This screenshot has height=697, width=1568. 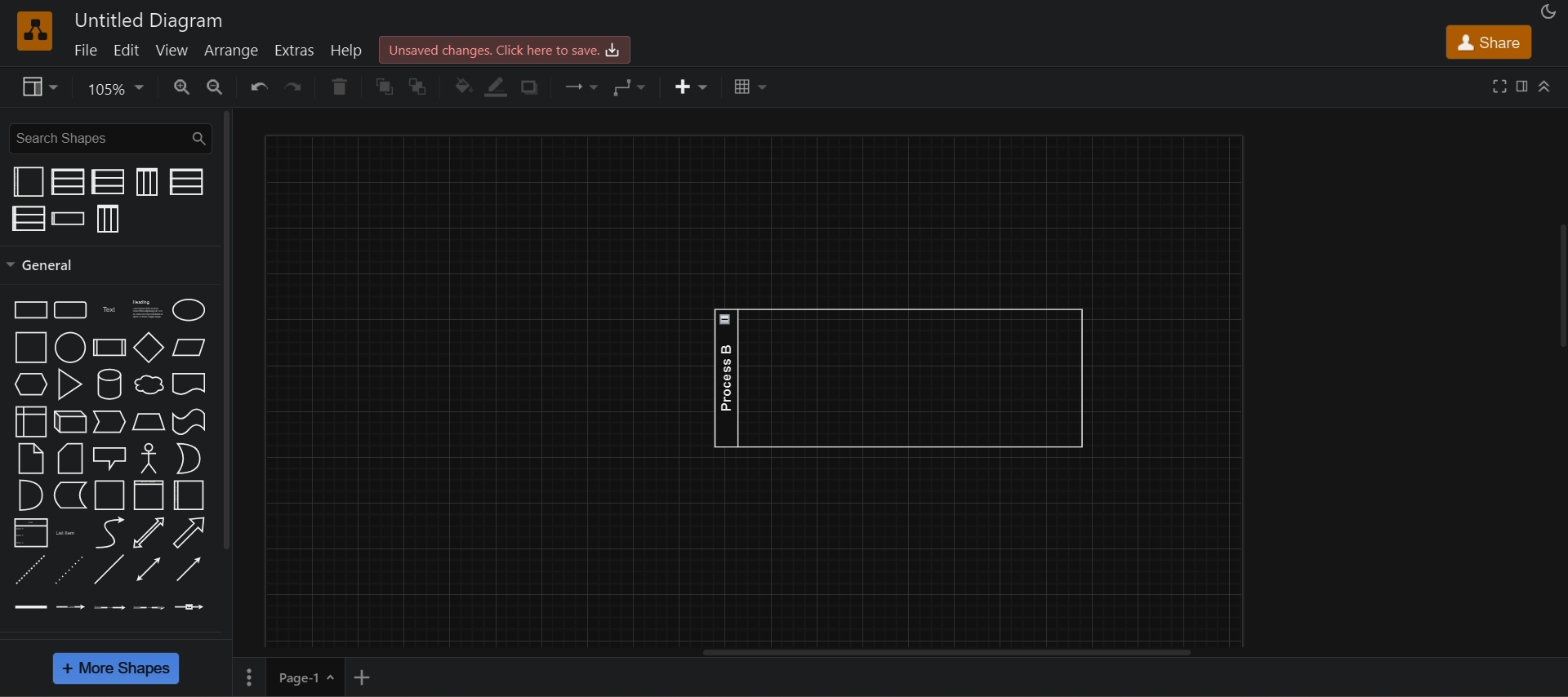 What do you see at coordinates (30, 607) in the screenshot?
I see `link` at bounding box center [30, 607].